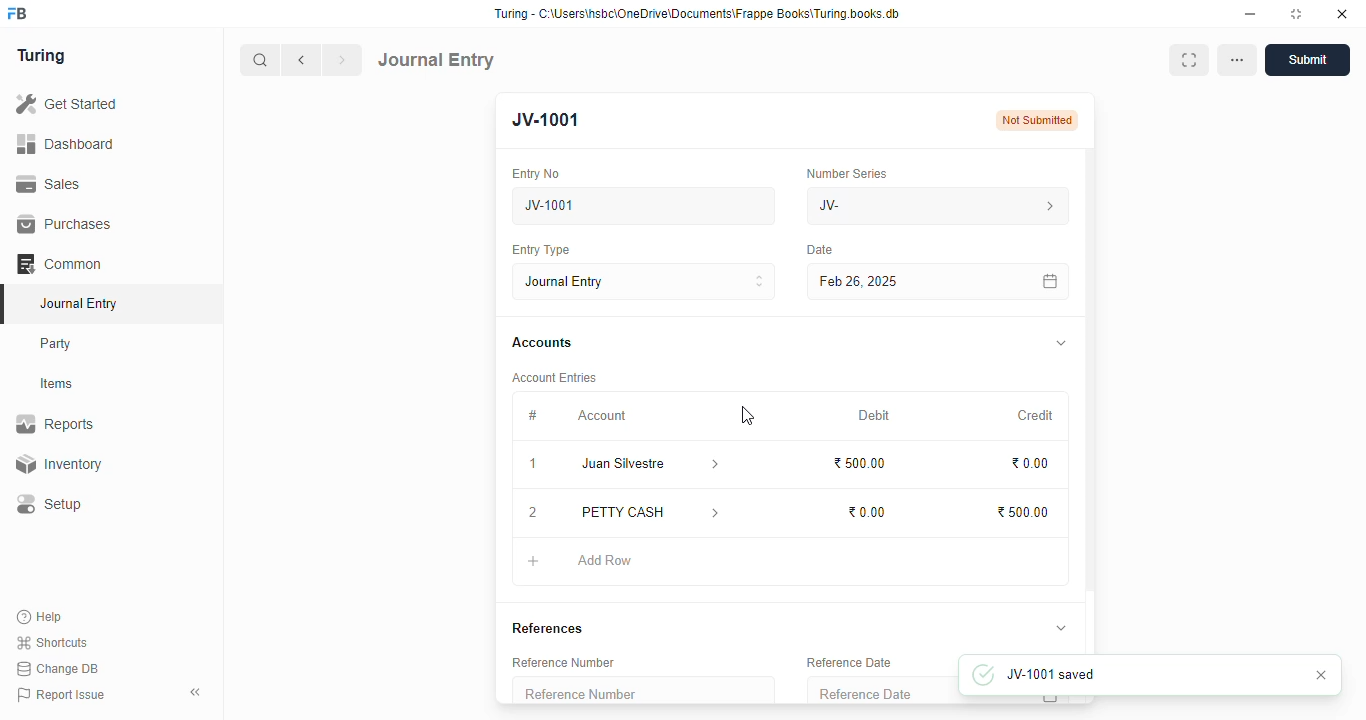 This screenshot has width=1366, height=720. Describe the element at coordinates (716, 465) in the screenshot. I see `account information` at that location.